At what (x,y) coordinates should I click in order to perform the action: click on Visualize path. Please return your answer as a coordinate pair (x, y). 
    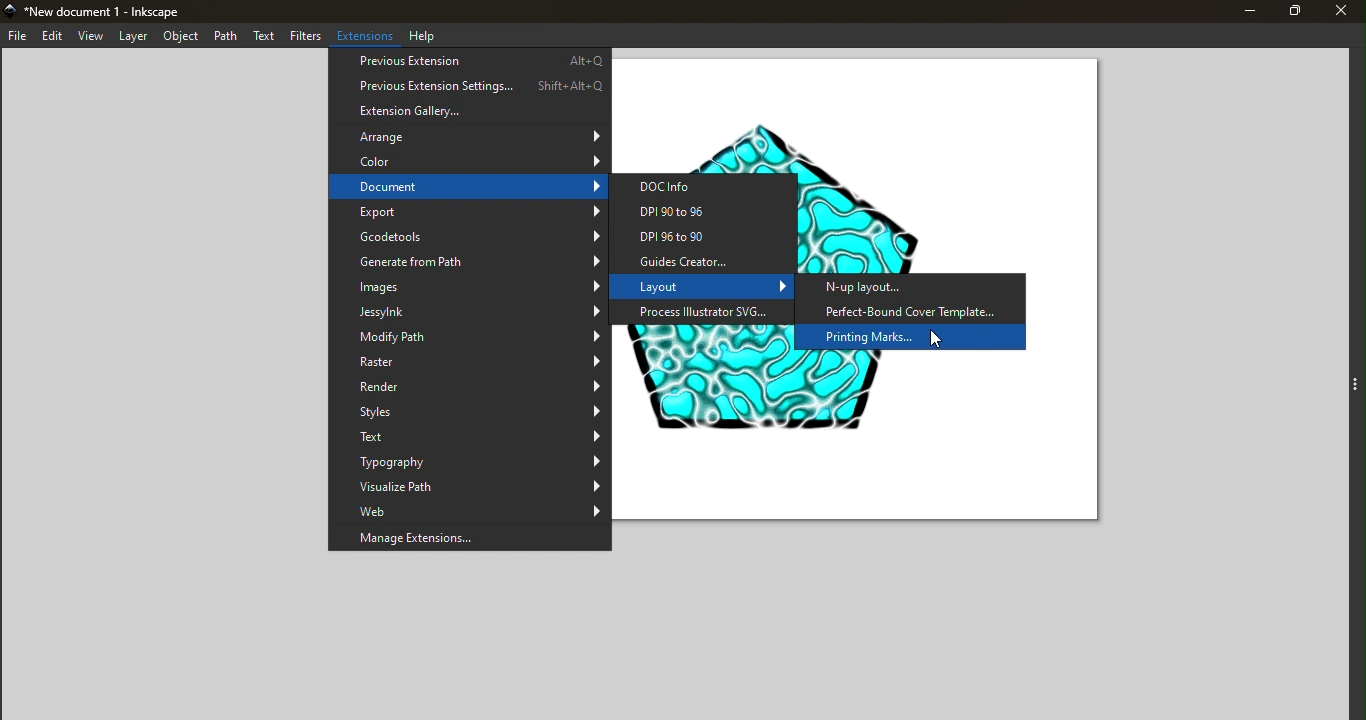
    Looking at the image, I should click on (468, 487).